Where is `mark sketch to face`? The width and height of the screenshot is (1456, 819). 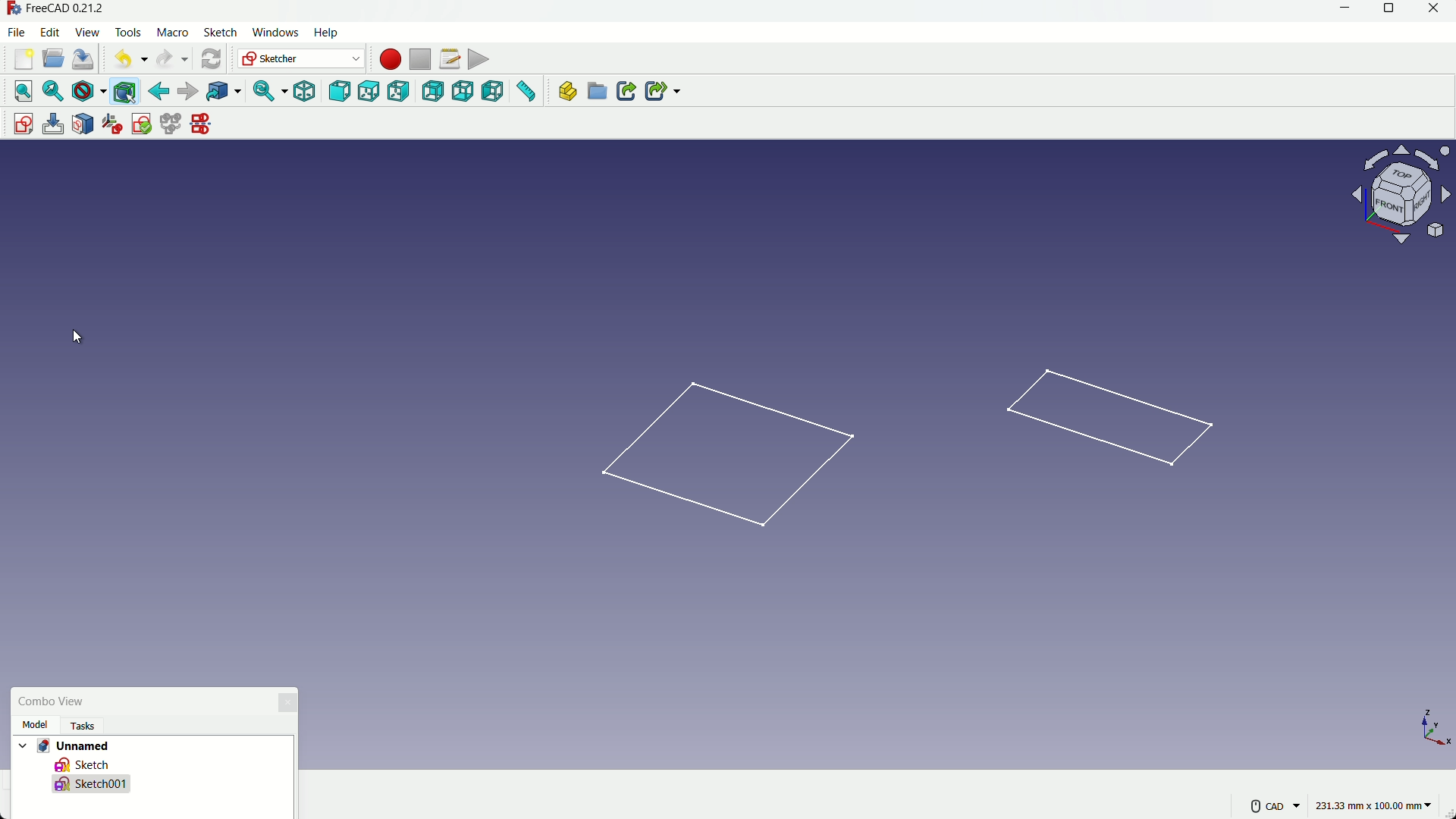
mark sketch to face is located at coordinates (81, 124).